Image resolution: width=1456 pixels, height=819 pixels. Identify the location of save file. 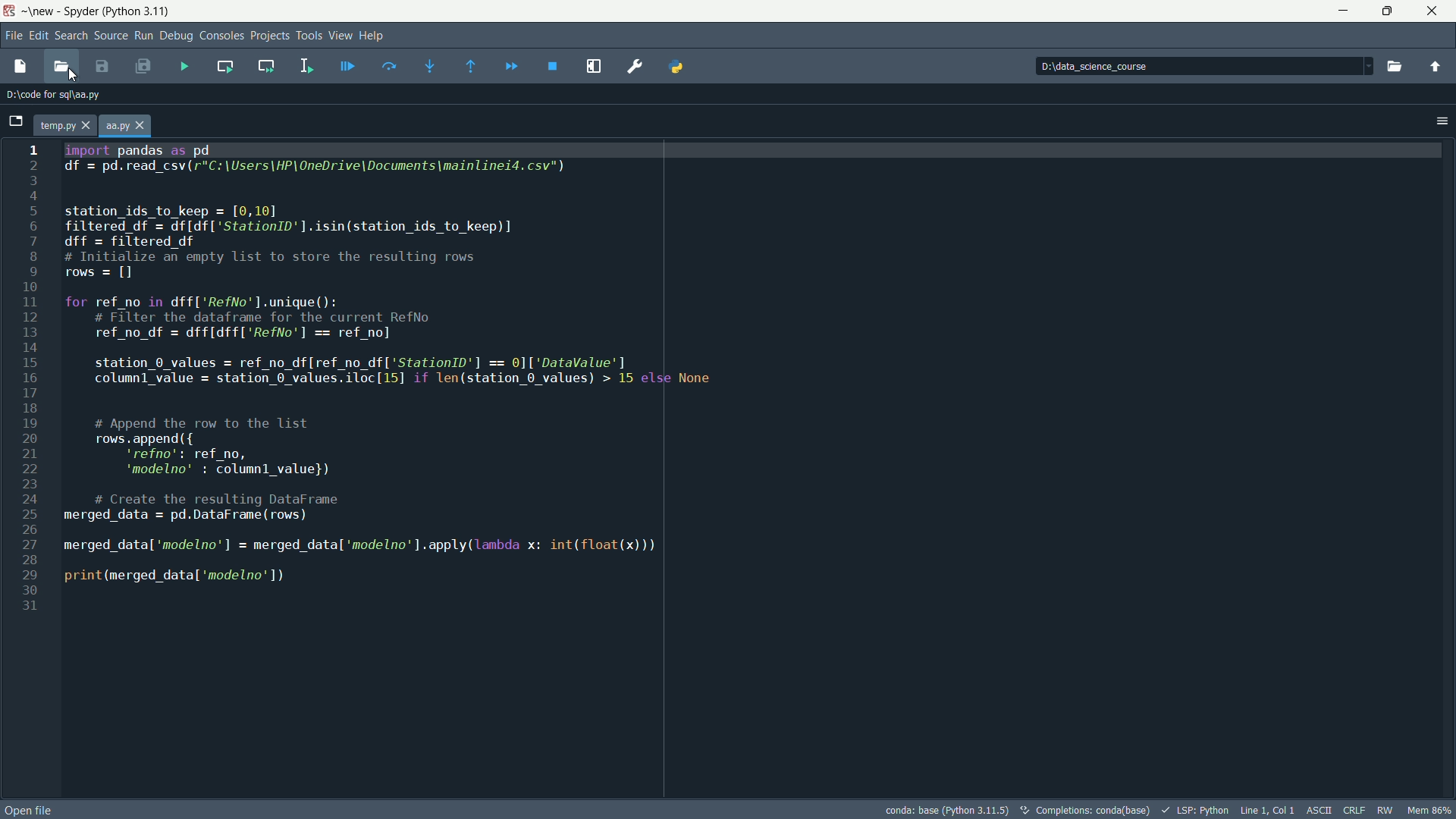
(101, 67).